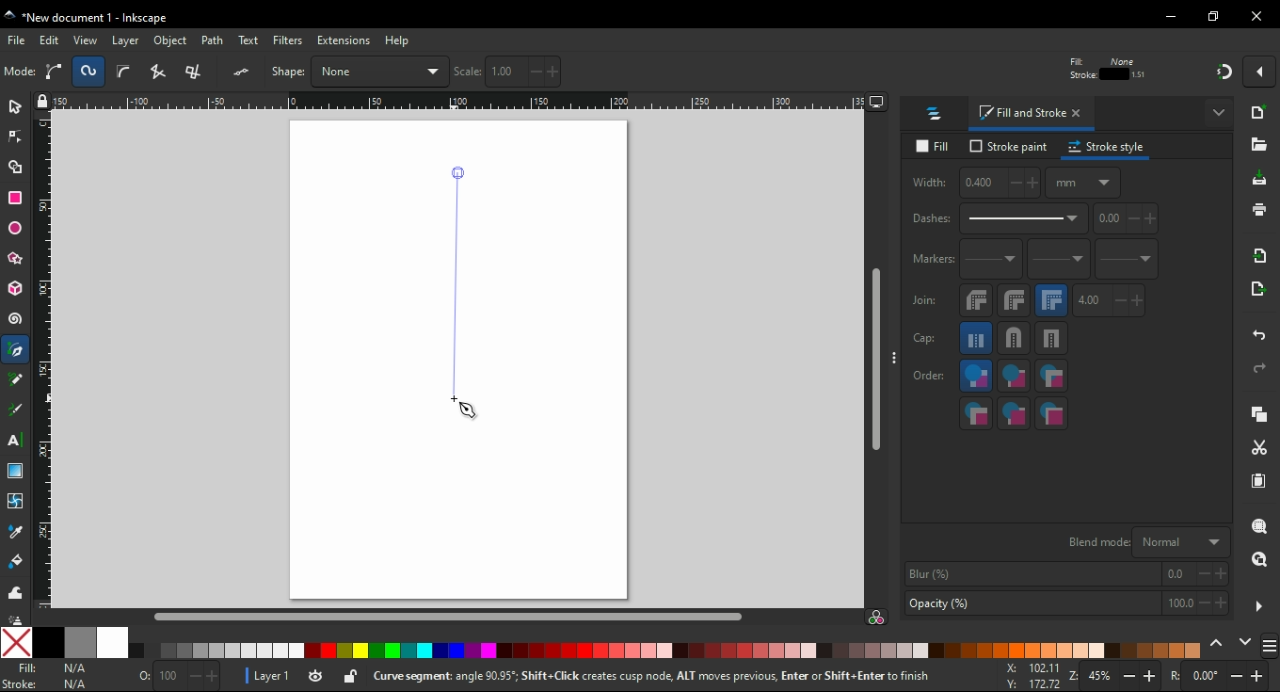  Describe the element at coordinates (397, 40) in the screenshot. I see `help` at that location.